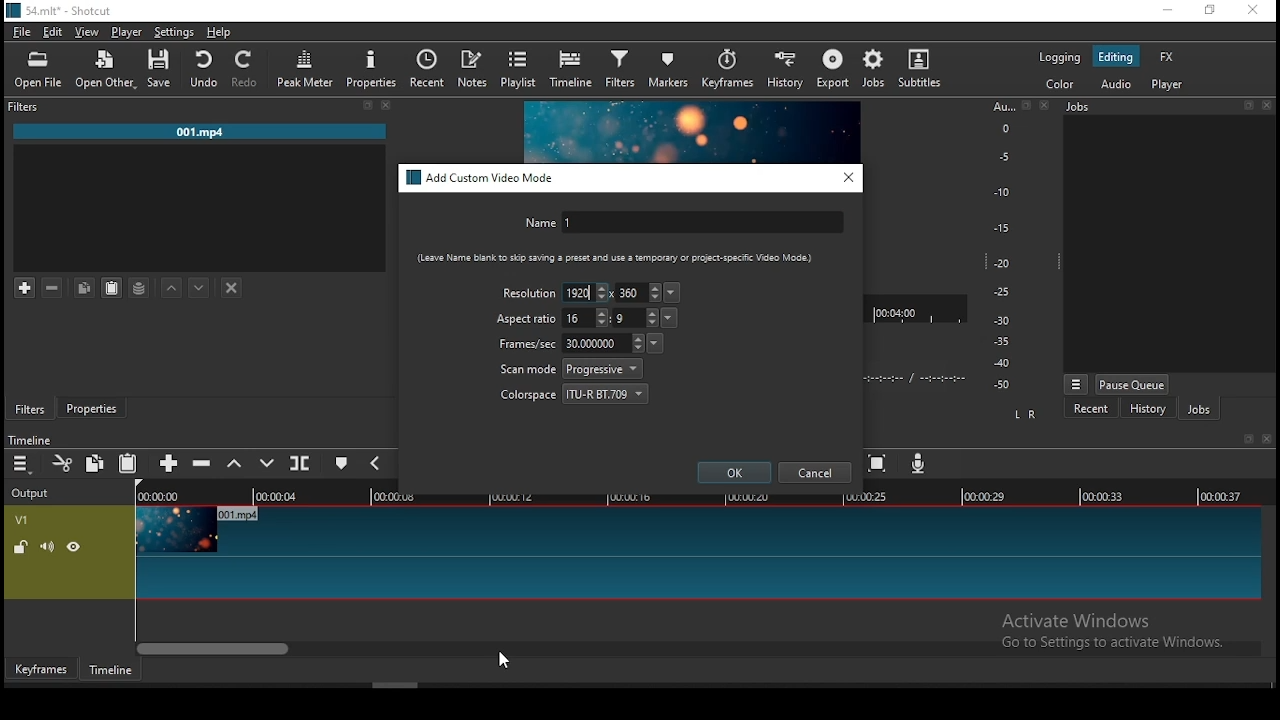 Image resolution: width=1280 pixels, height=720 pixels. Describe the element at coordinates (139, 285) in the screenshot. I see `save filter set` at that location.